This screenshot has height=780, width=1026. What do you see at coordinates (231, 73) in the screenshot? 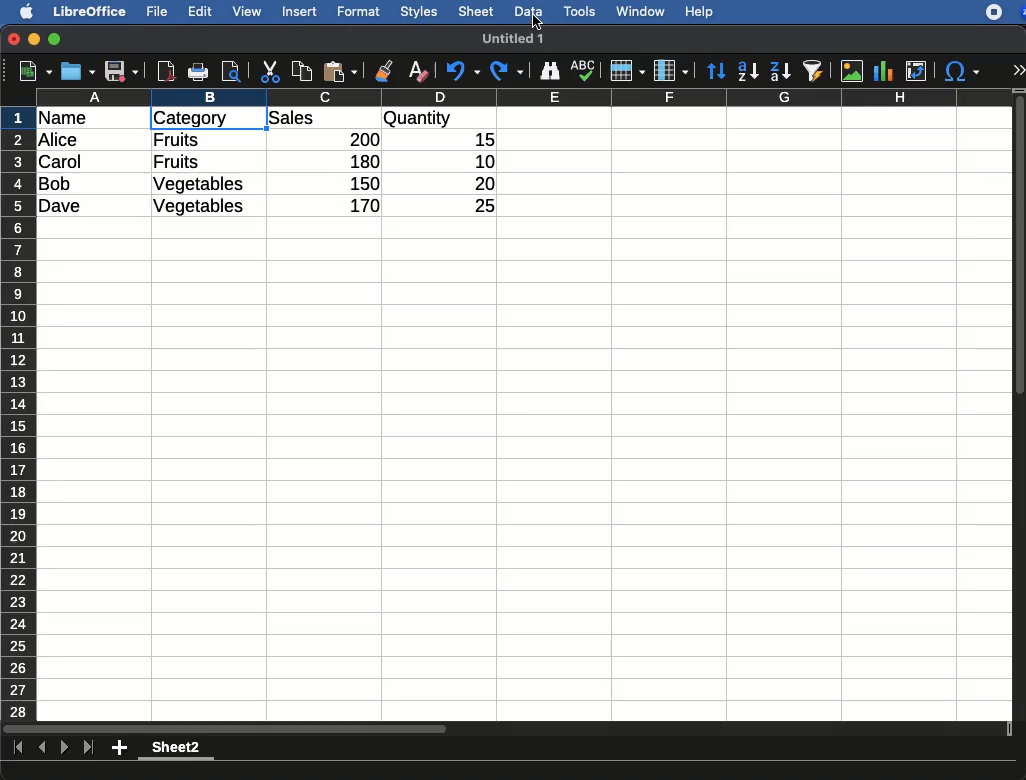
I see `print preview` at bounding box center [231, 73].